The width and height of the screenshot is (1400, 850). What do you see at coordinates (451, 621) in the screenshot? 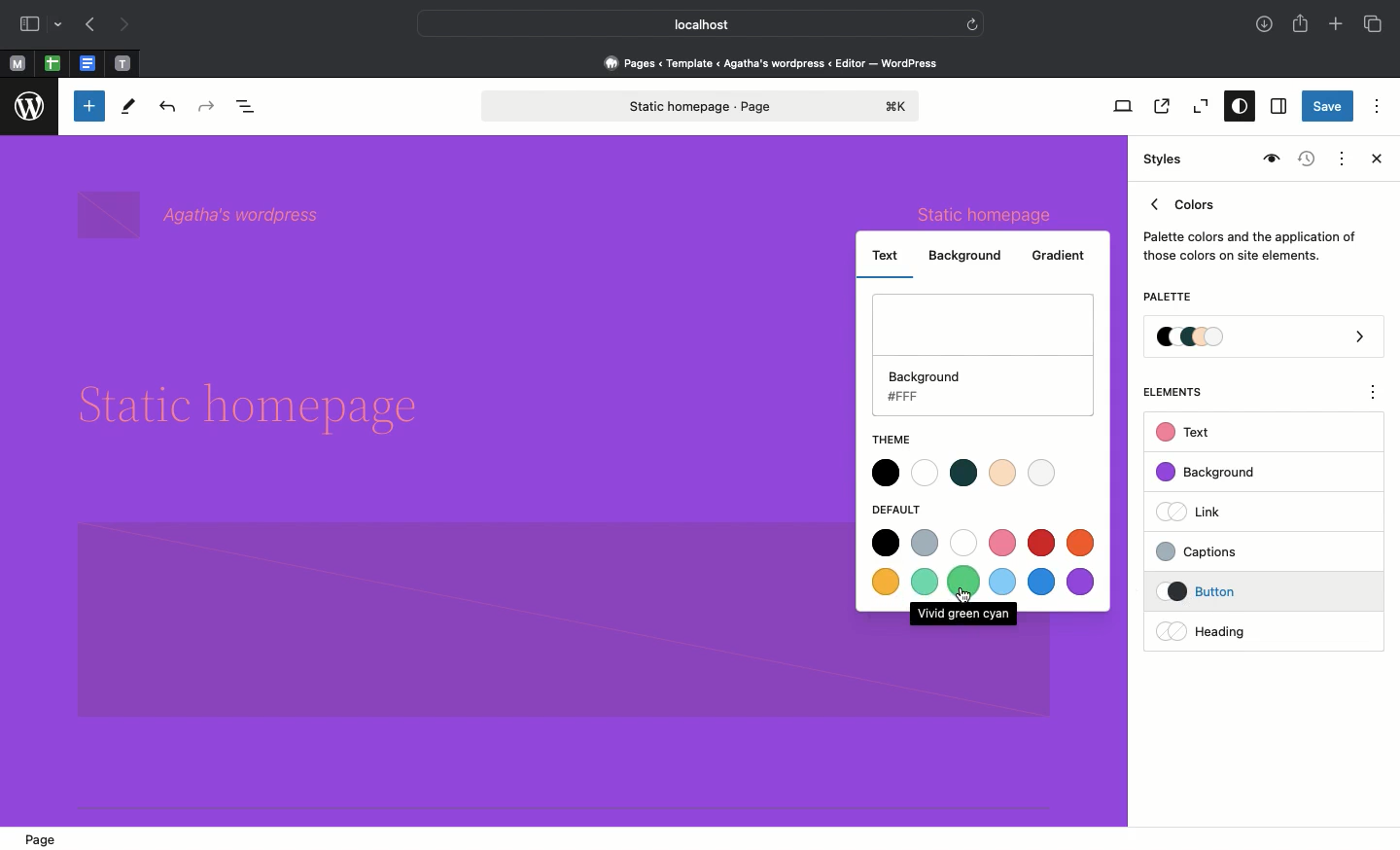
I see `Block` at bounding box center [451, 621].